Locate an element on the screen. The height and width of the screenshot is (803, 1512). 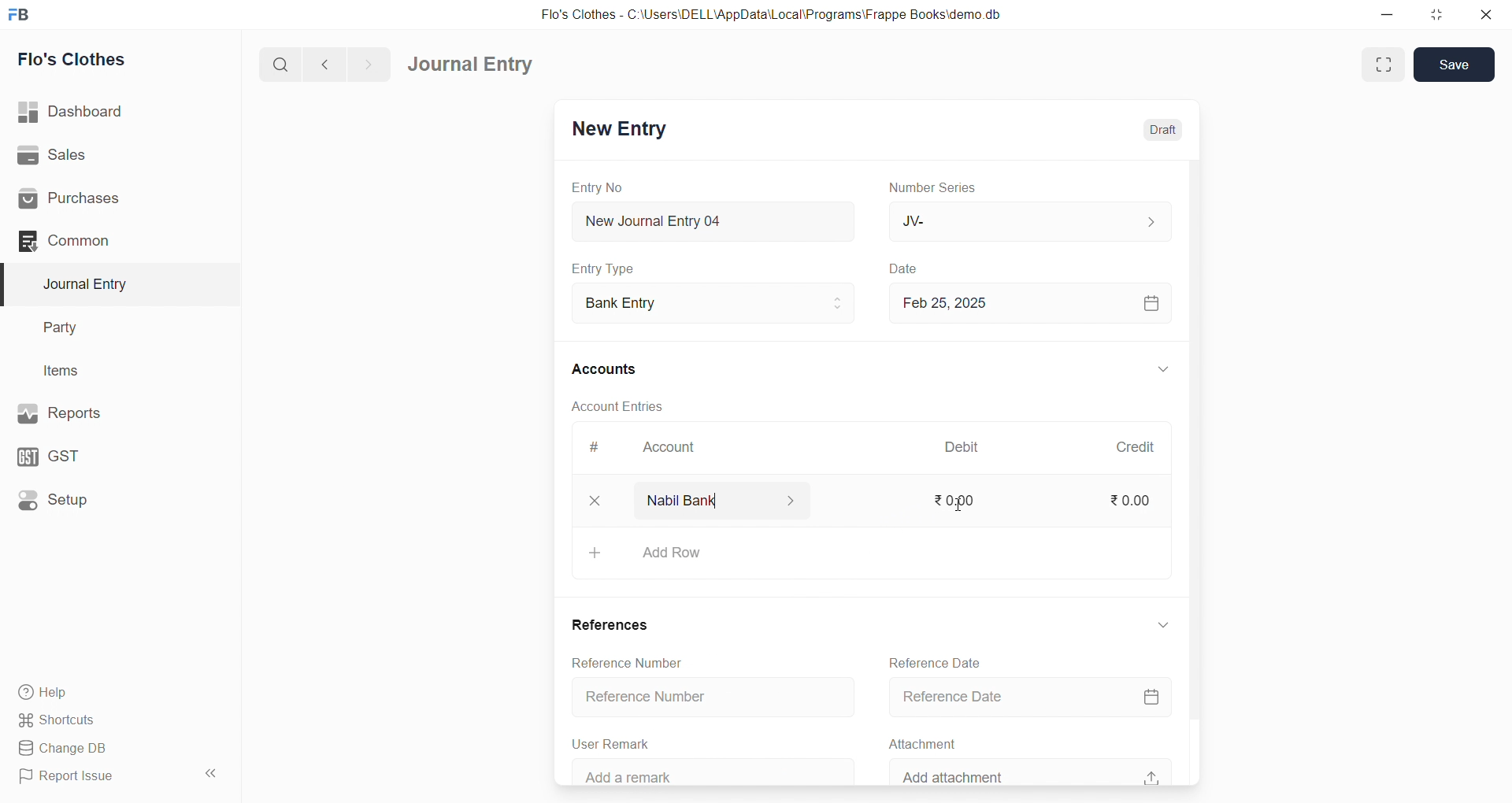
Expand/collapse is located at coordinates (1154, 624).